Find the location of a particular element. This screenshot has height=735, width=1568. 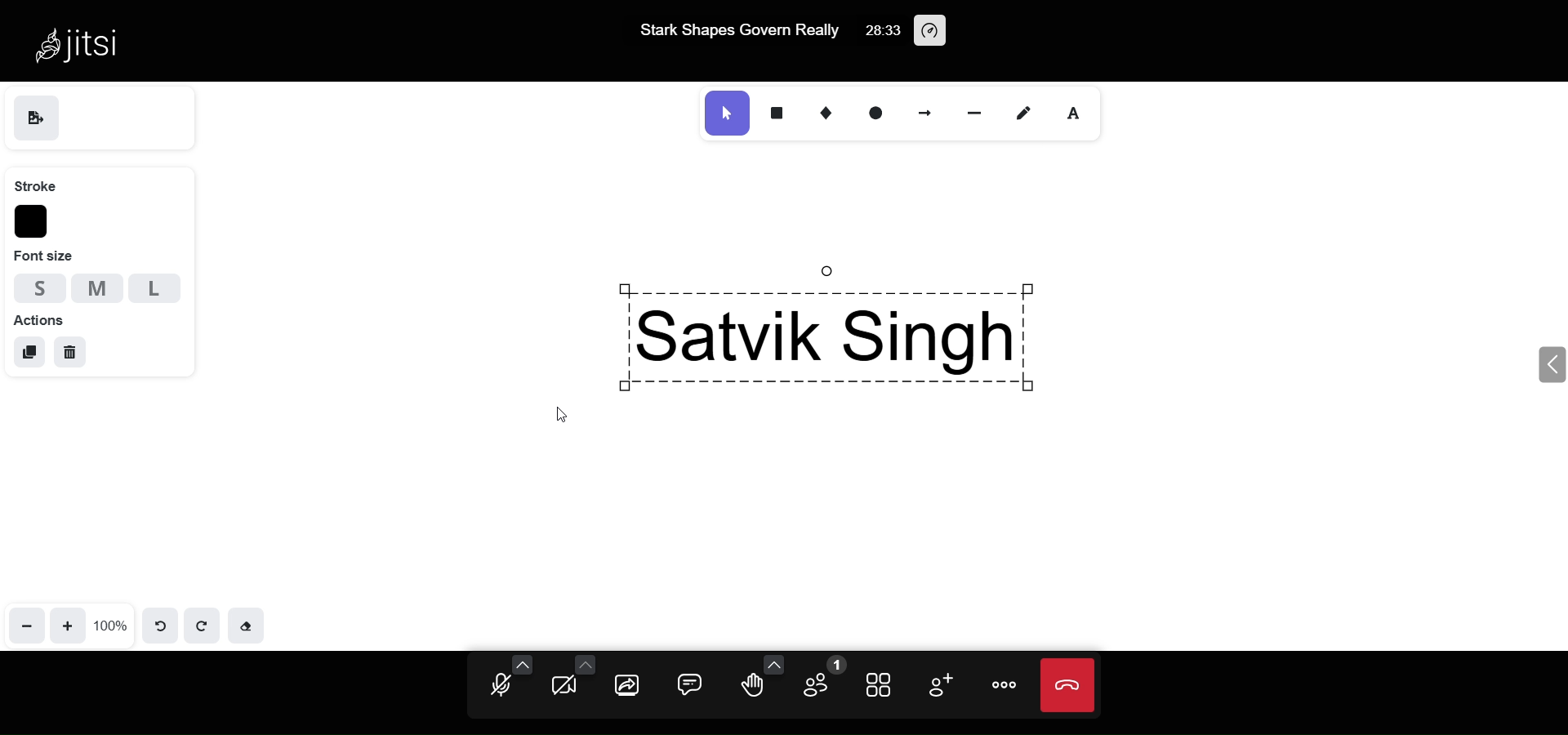

more audio option is located at coordinates (523, 664).